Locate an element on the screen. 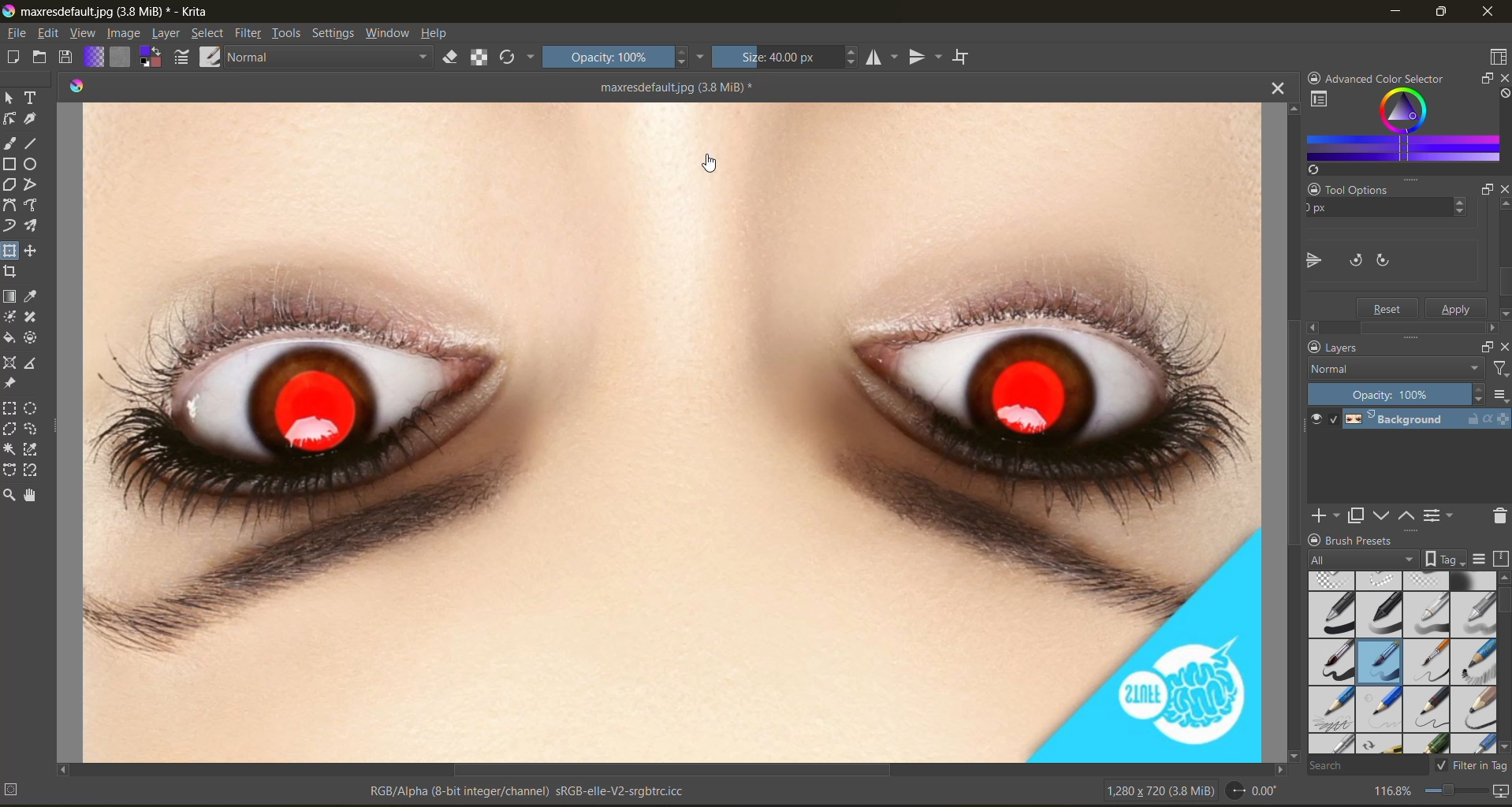 The image size is (1512, 807). zoom factor is located at coordinates (1395, 793).